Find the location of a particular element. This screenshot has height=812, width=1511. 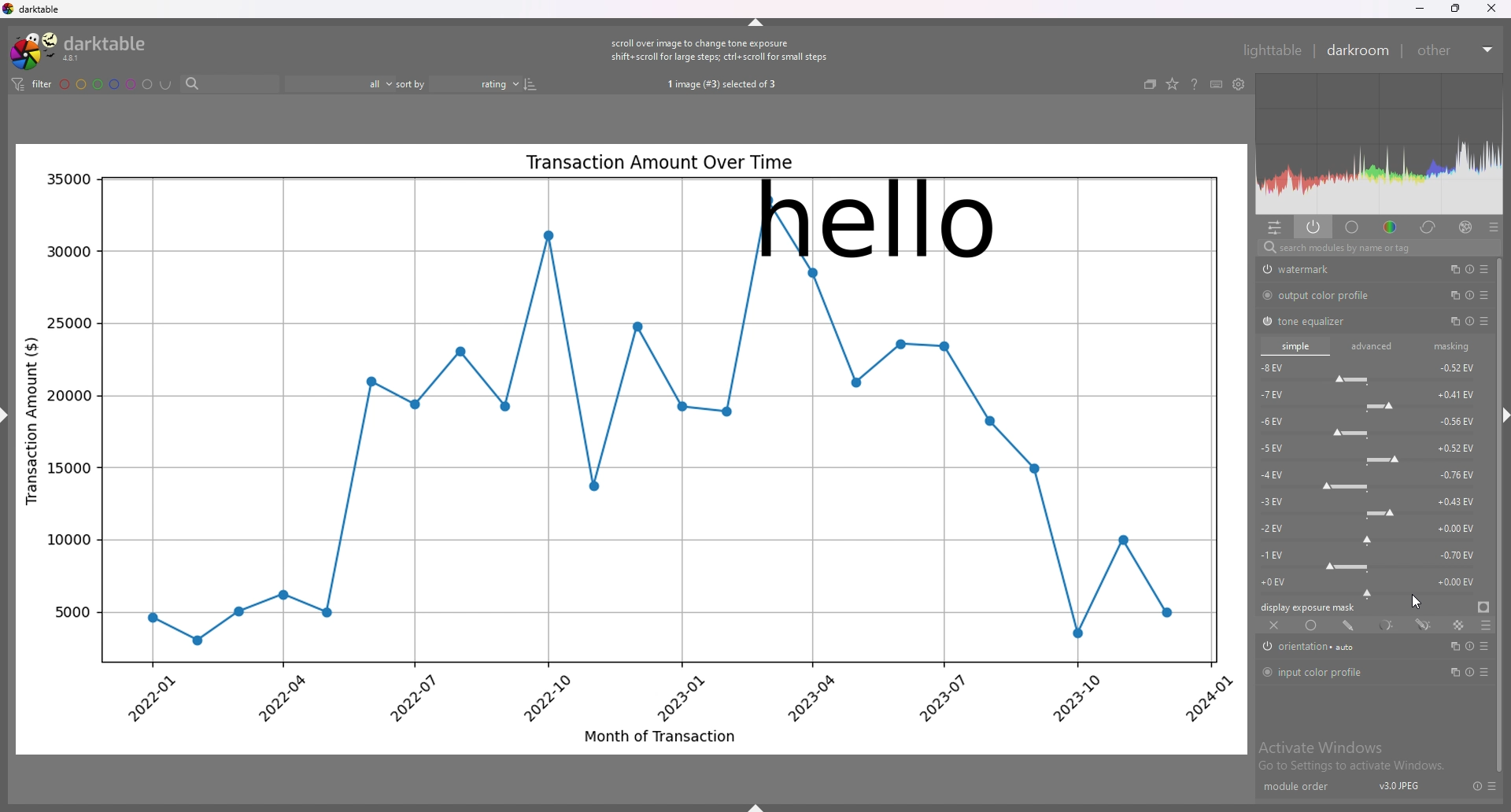

reverse sort order is located at coordinates (531, 84).